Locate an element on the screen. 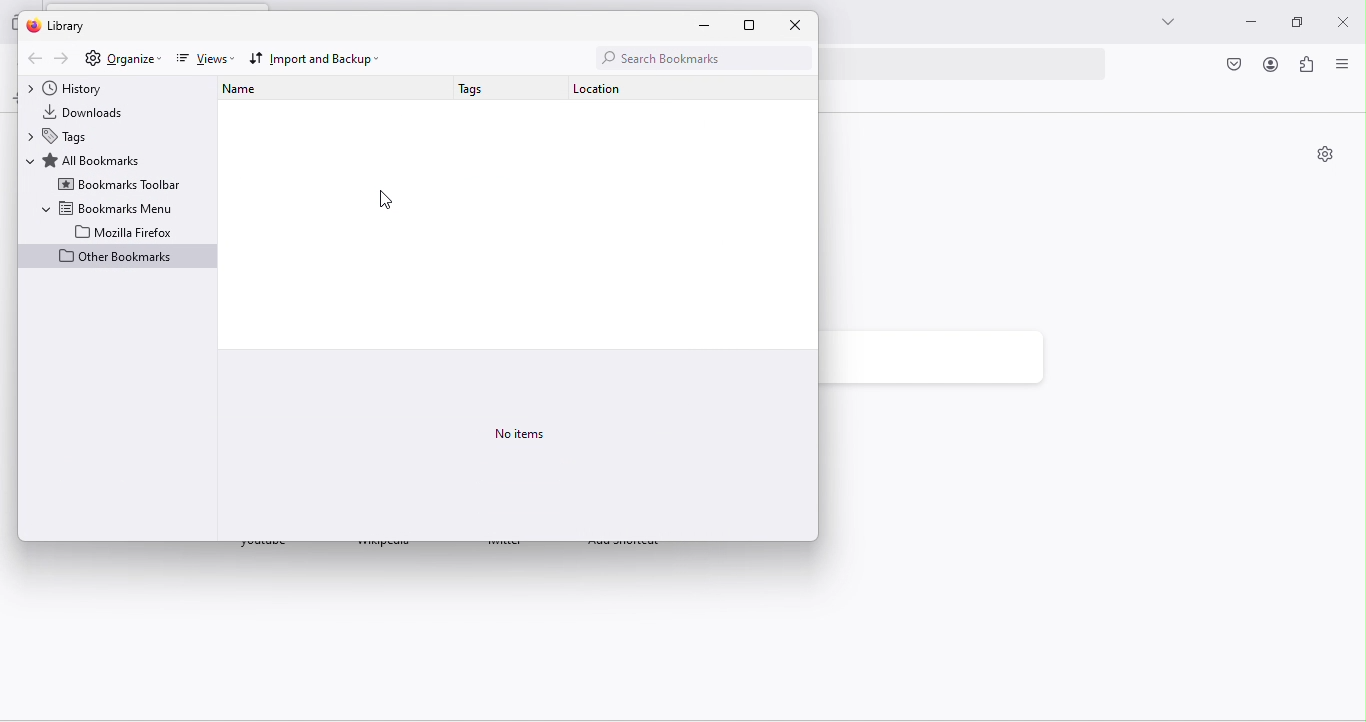 Image resolution: width=1366 pixels, height=722 pixels. import and backup is located at coordinates (318, 58).